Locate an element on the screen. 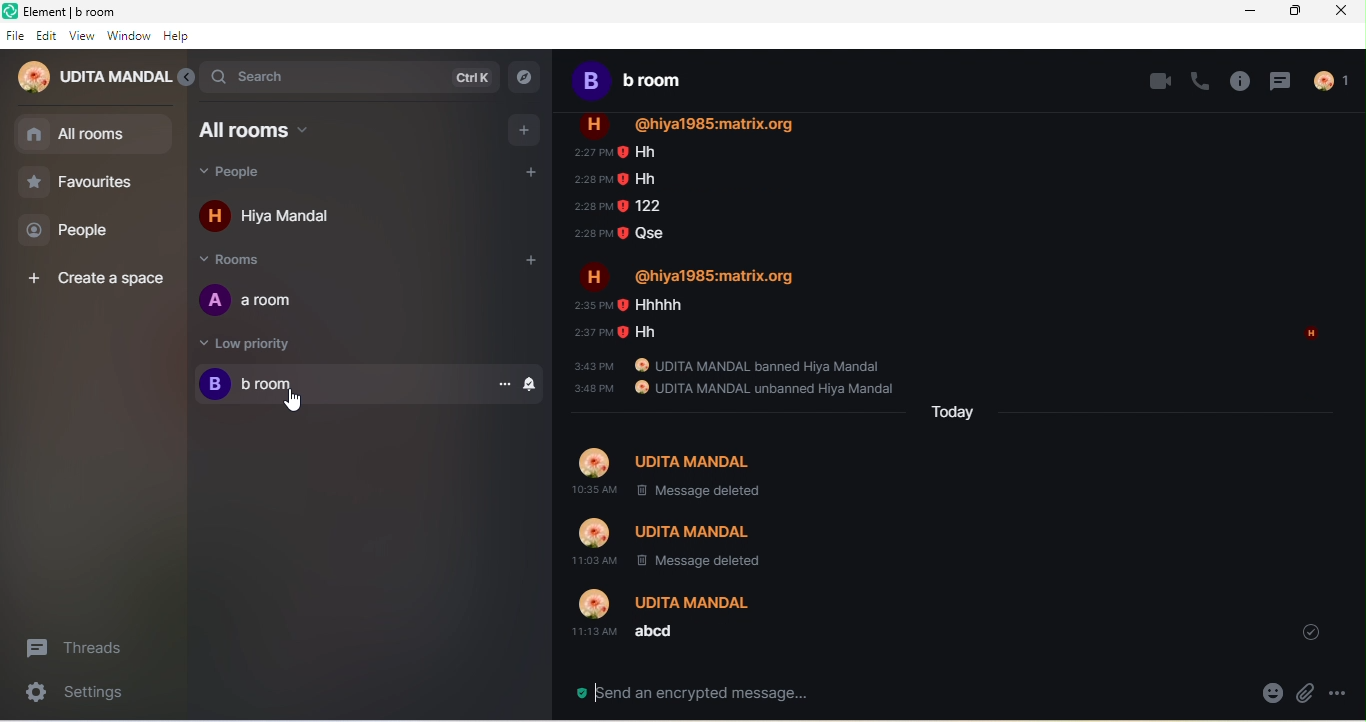 Image resolution: width=1366 pixels, height=722 pixels. close is located at coordinates (1345, 13).